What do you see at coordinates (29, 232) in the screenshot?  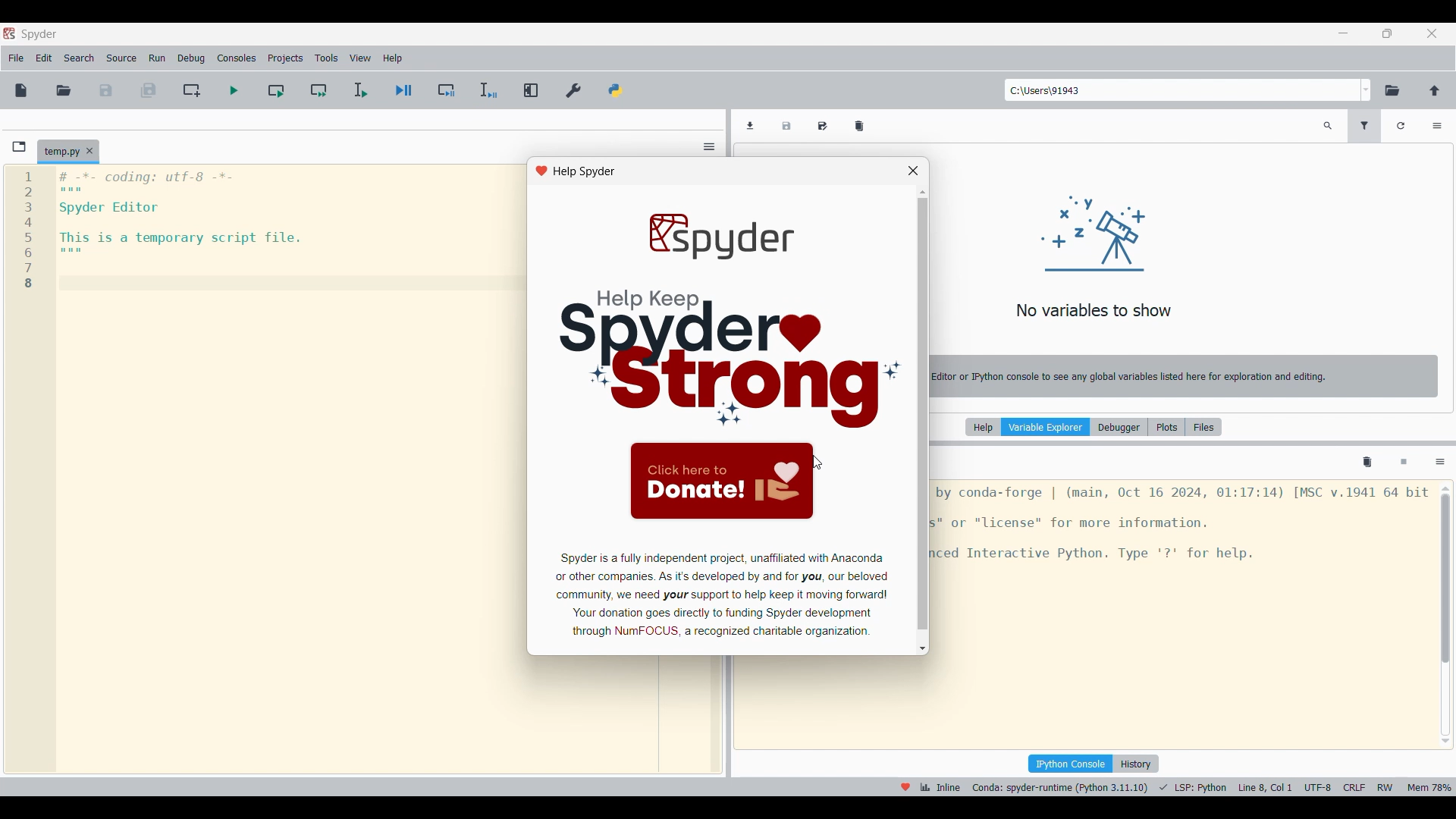 I see `1
2
B
4
5
6
7
8` at bounding box center [29, 232].